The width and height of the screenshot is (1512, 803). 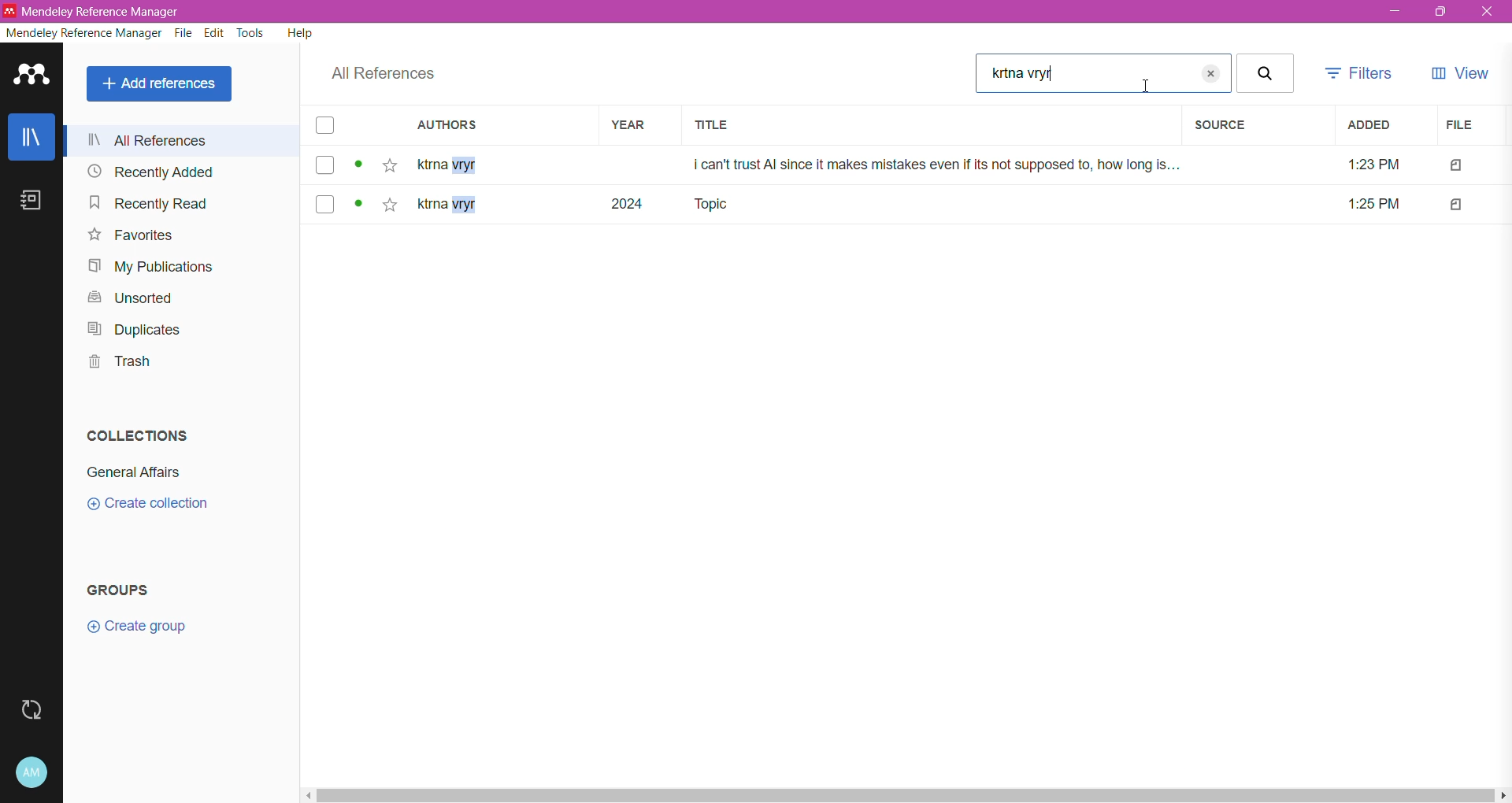 I want to click on Recently Read, so click(x=146, y=203).